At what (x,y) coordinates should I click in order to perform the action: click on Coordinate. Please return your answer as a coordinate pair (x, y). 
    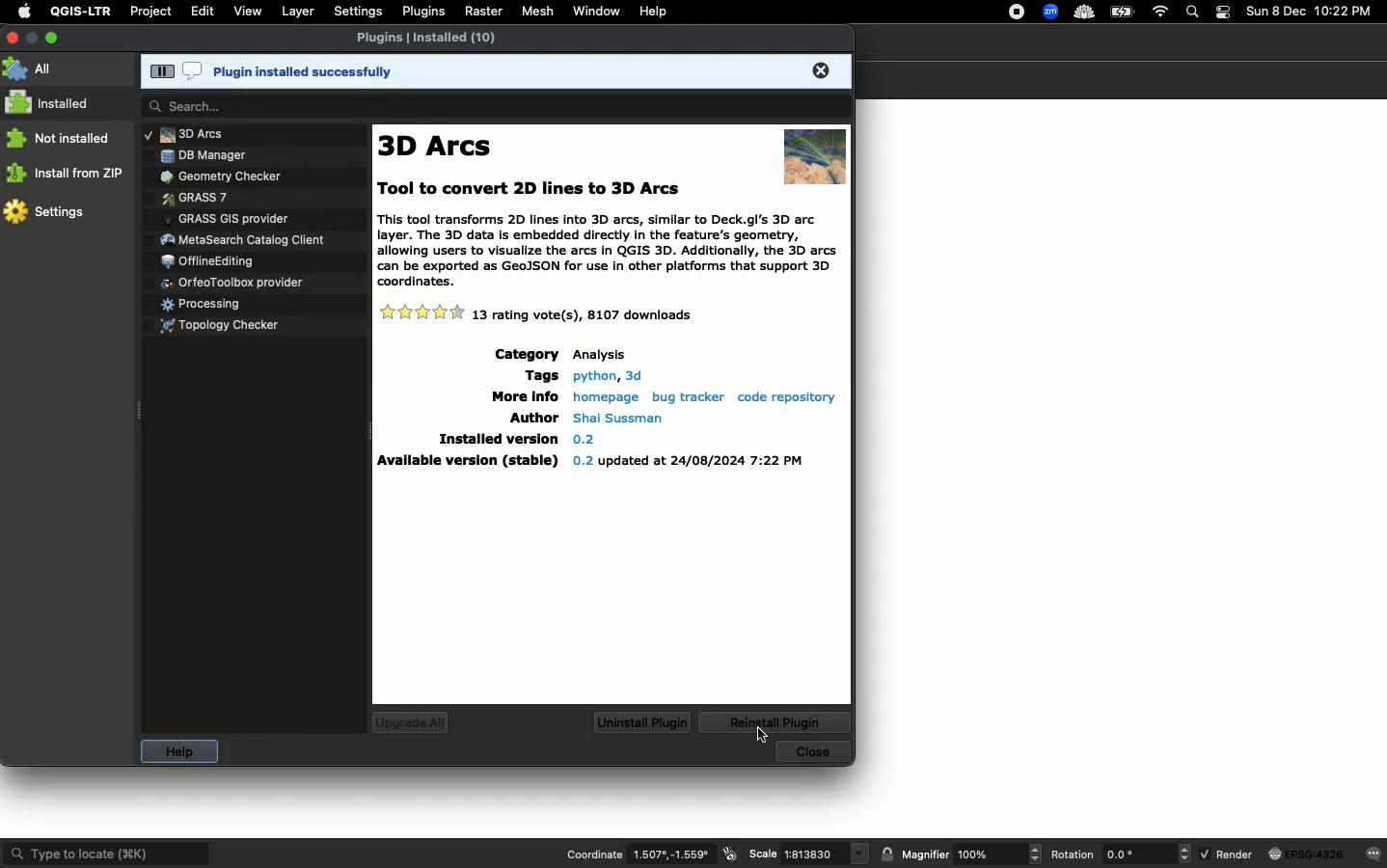
    Looking at the image, I should click on (594, 854).